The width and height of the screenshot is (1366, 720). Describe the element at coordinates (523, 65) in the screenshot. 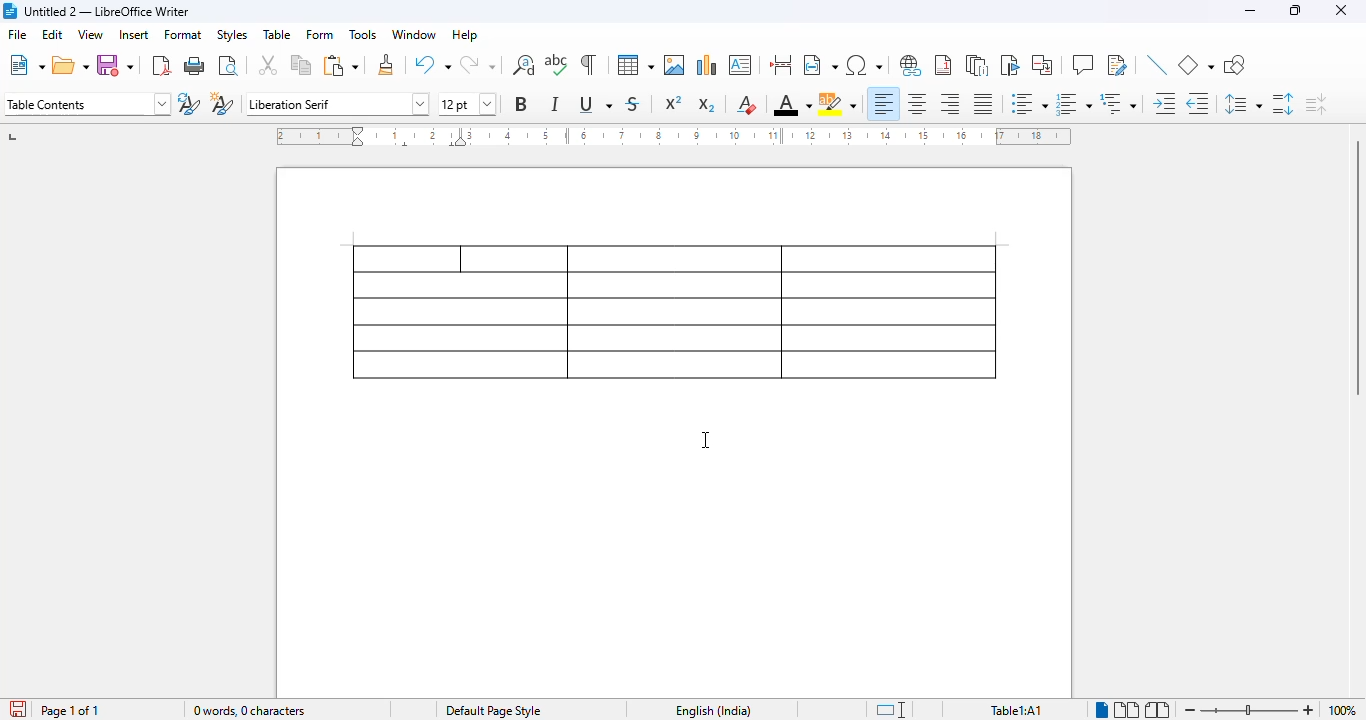

I see `find and replace` at that location.